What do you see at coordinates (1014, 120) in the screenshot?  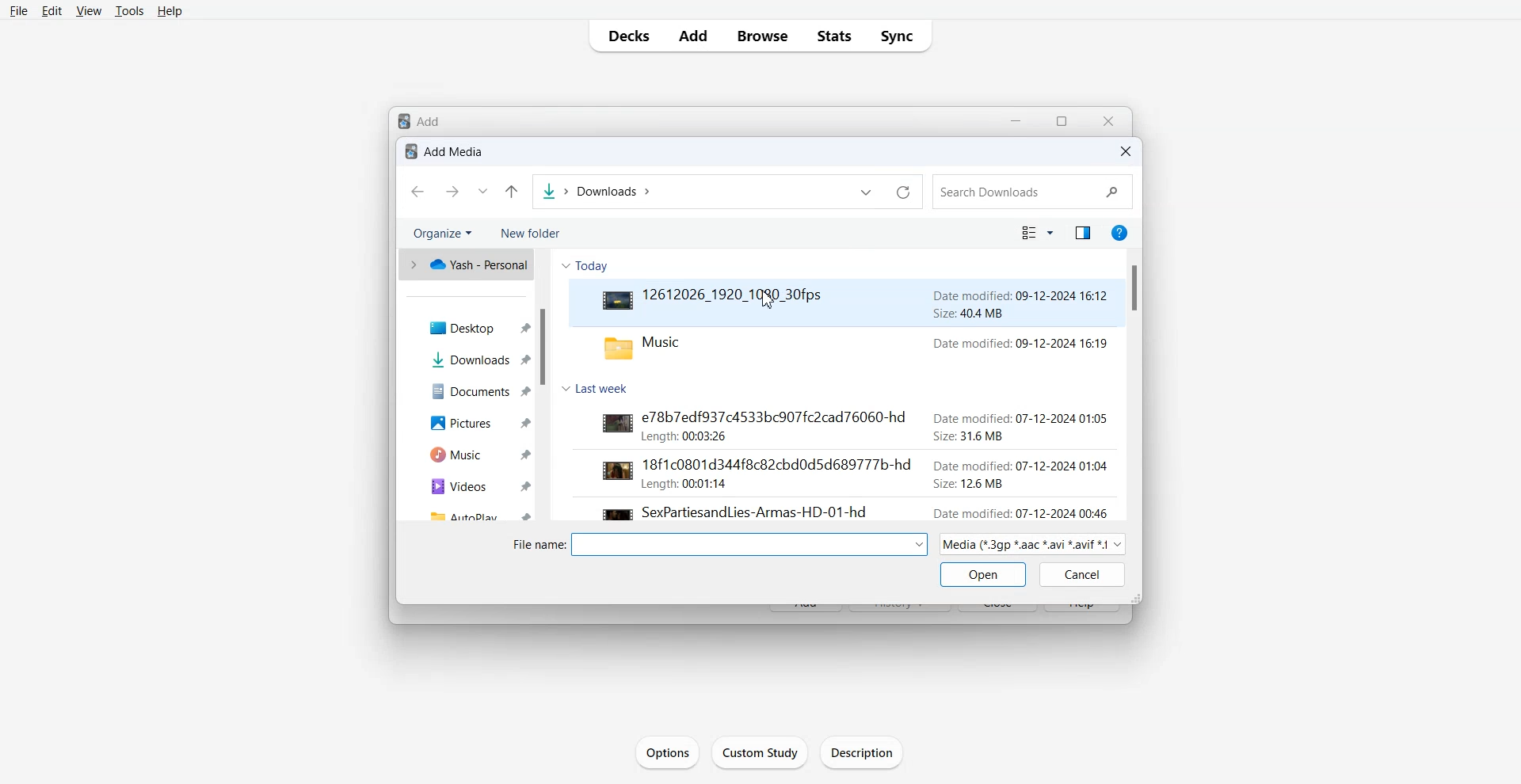 I see `Minimize` at bounding box center [1014, 120].